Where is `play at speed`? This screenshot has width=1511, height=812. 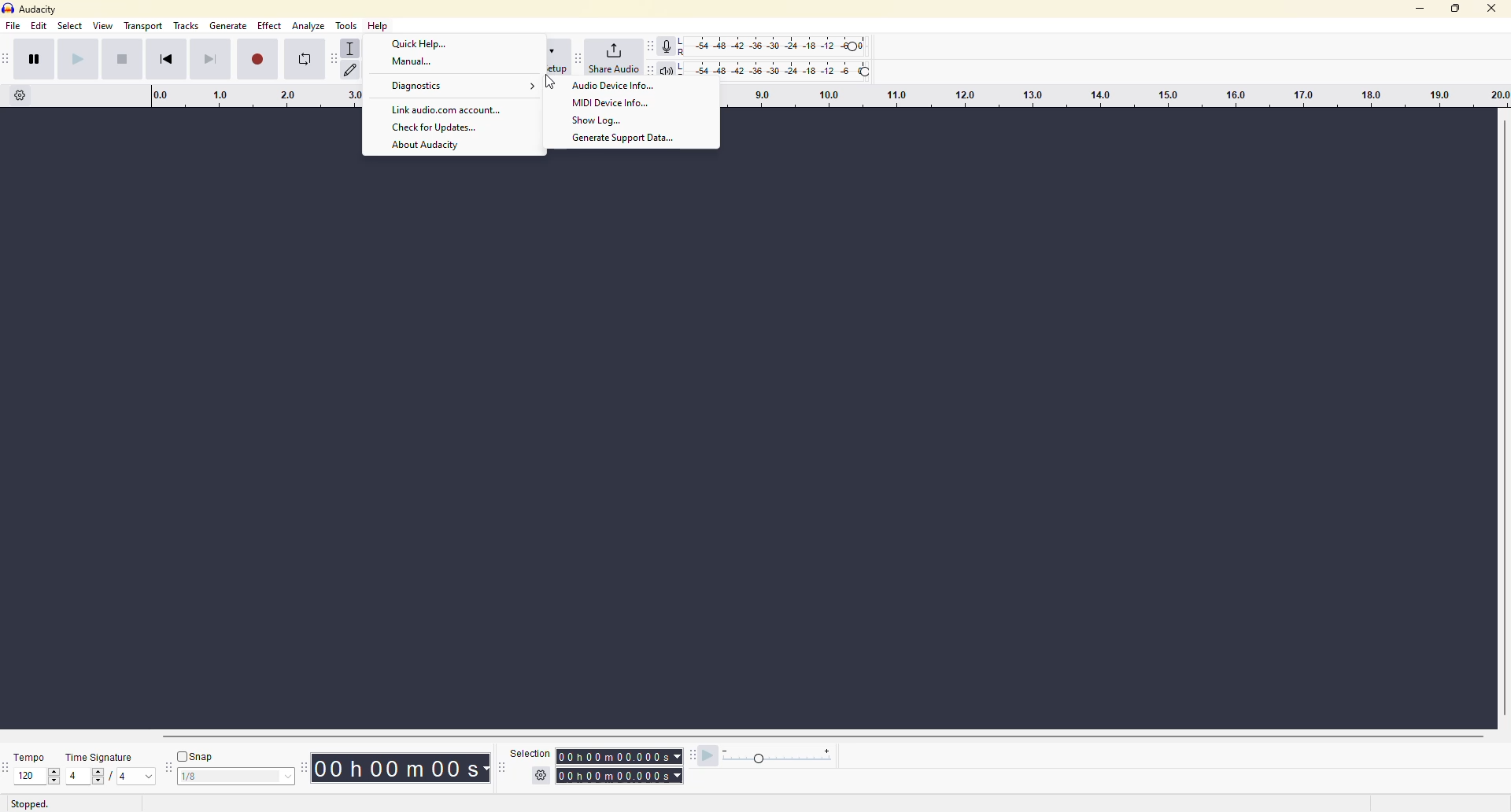
play at speed is located at coordinates (705, 759).